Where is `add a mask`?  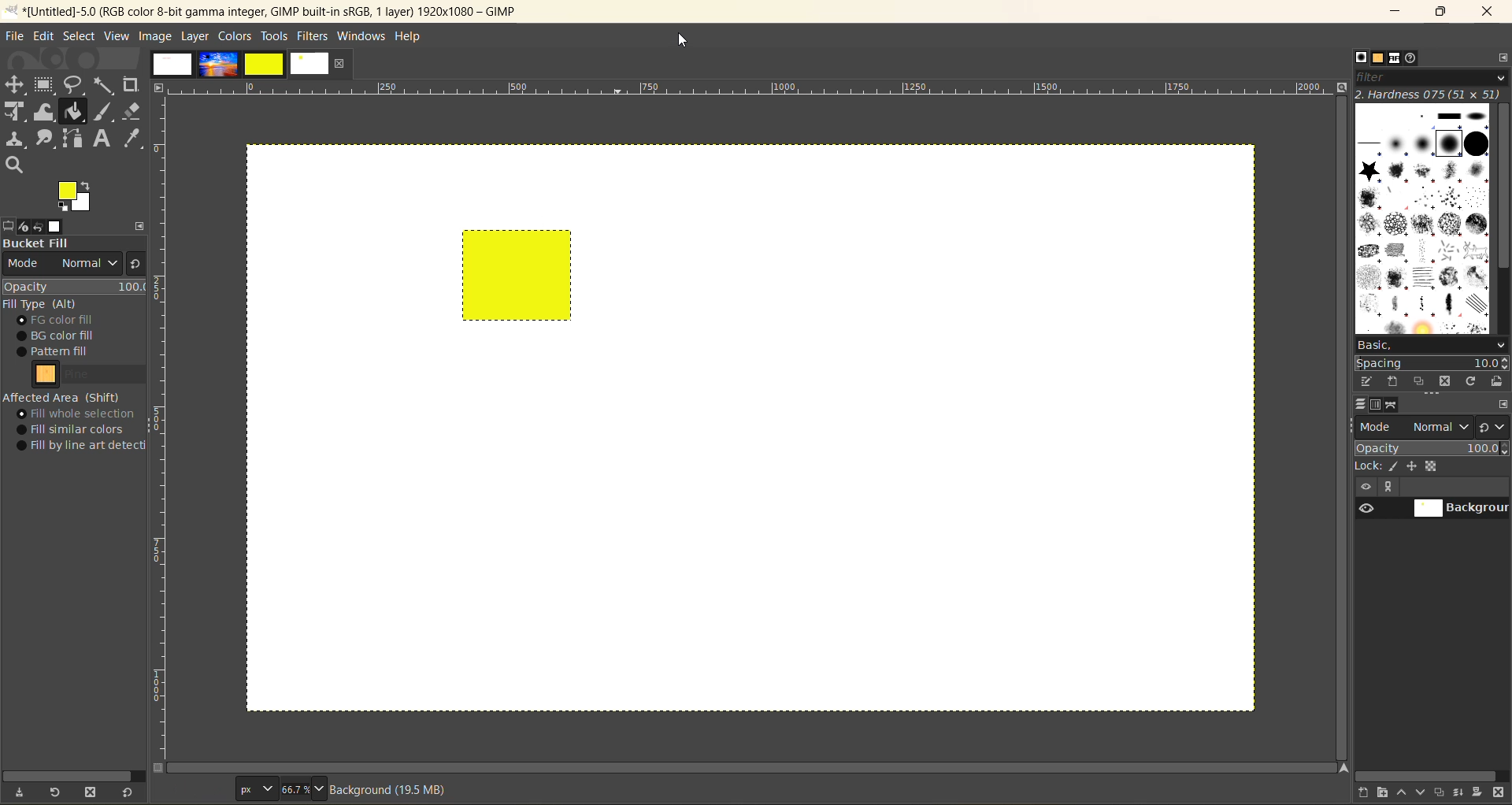 add a mask is located at coordinates (1478, 793).